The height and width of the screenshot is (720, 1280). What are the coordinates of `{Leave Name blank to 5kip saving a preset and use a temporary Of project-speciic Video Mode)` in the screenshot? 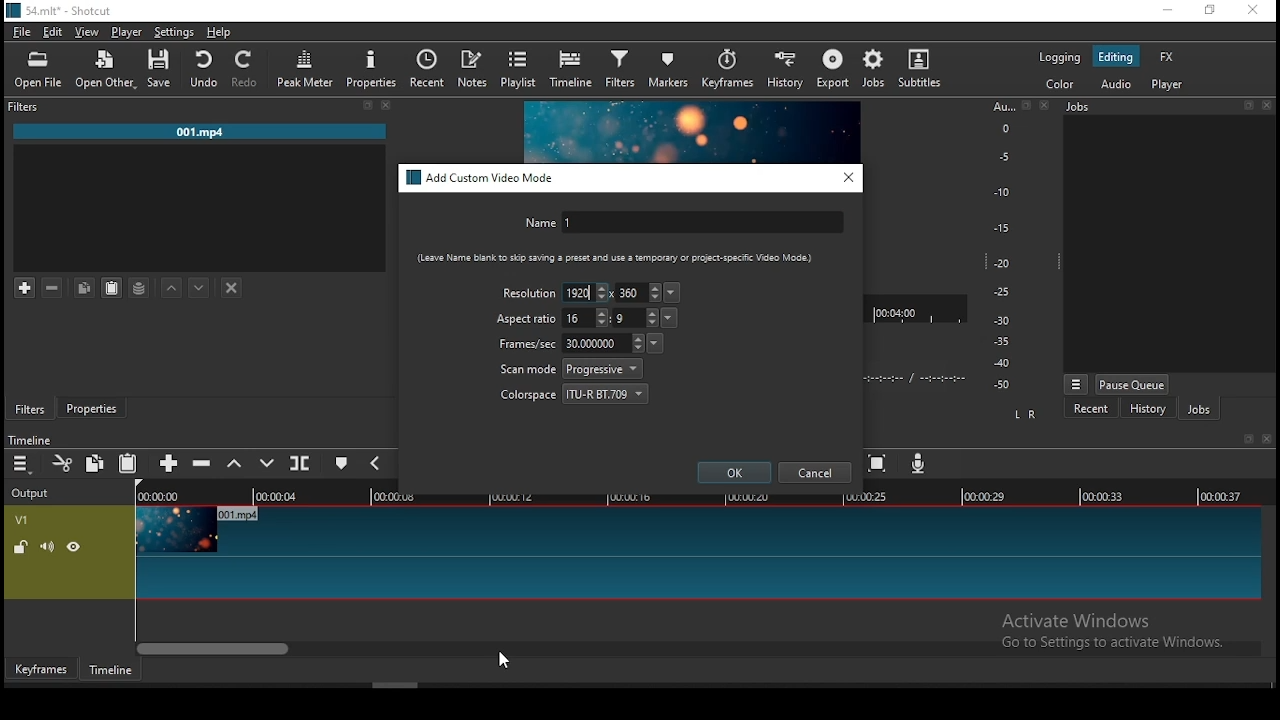 It's located at (607, 258).